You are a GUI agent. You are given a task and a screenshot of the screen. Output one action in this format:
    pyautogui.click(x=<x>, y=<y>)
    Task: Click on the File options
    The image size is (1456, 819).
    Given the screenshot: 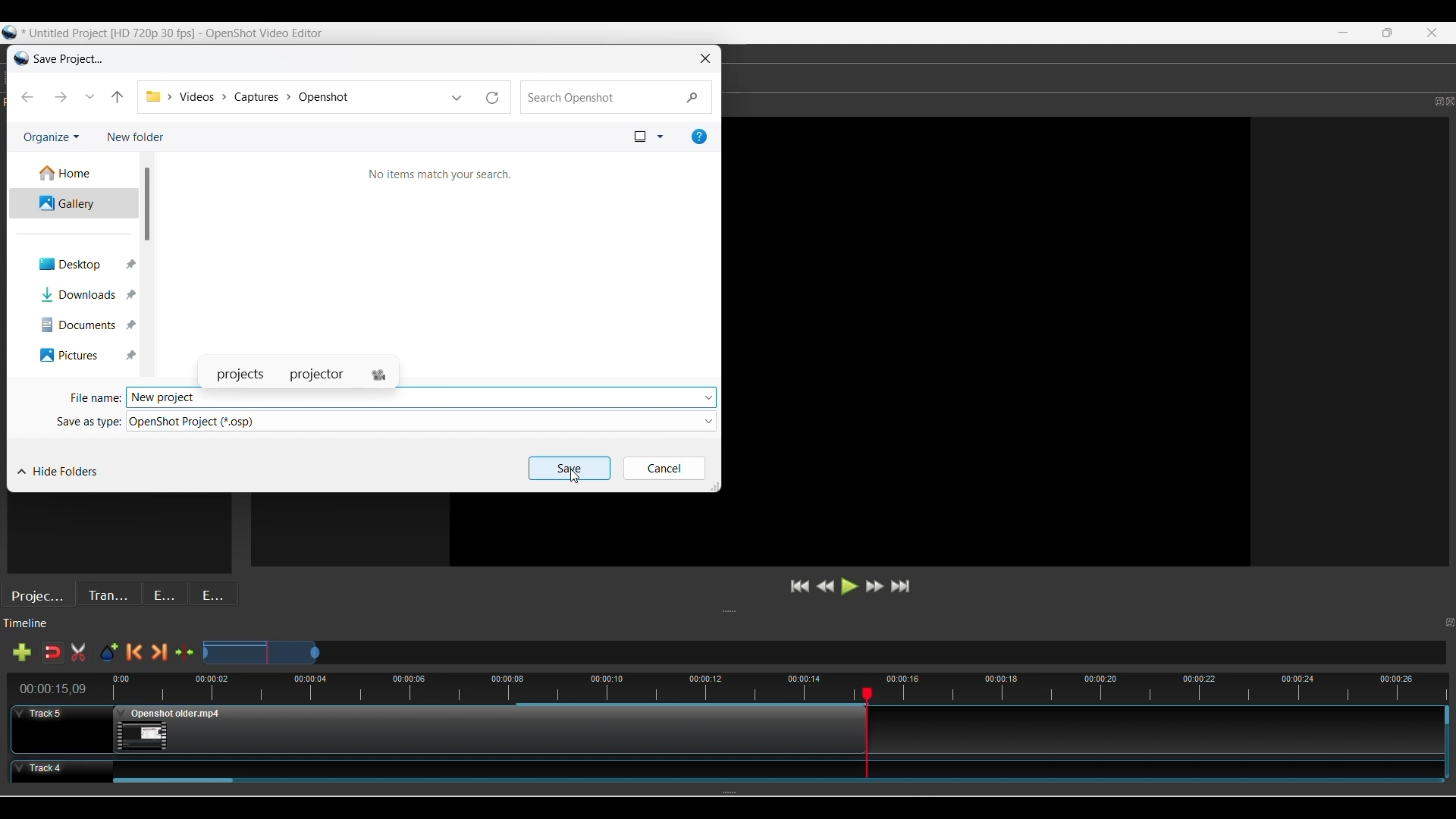 What is the action you would take?
    pyautogui.click(x=711, y=395)
    